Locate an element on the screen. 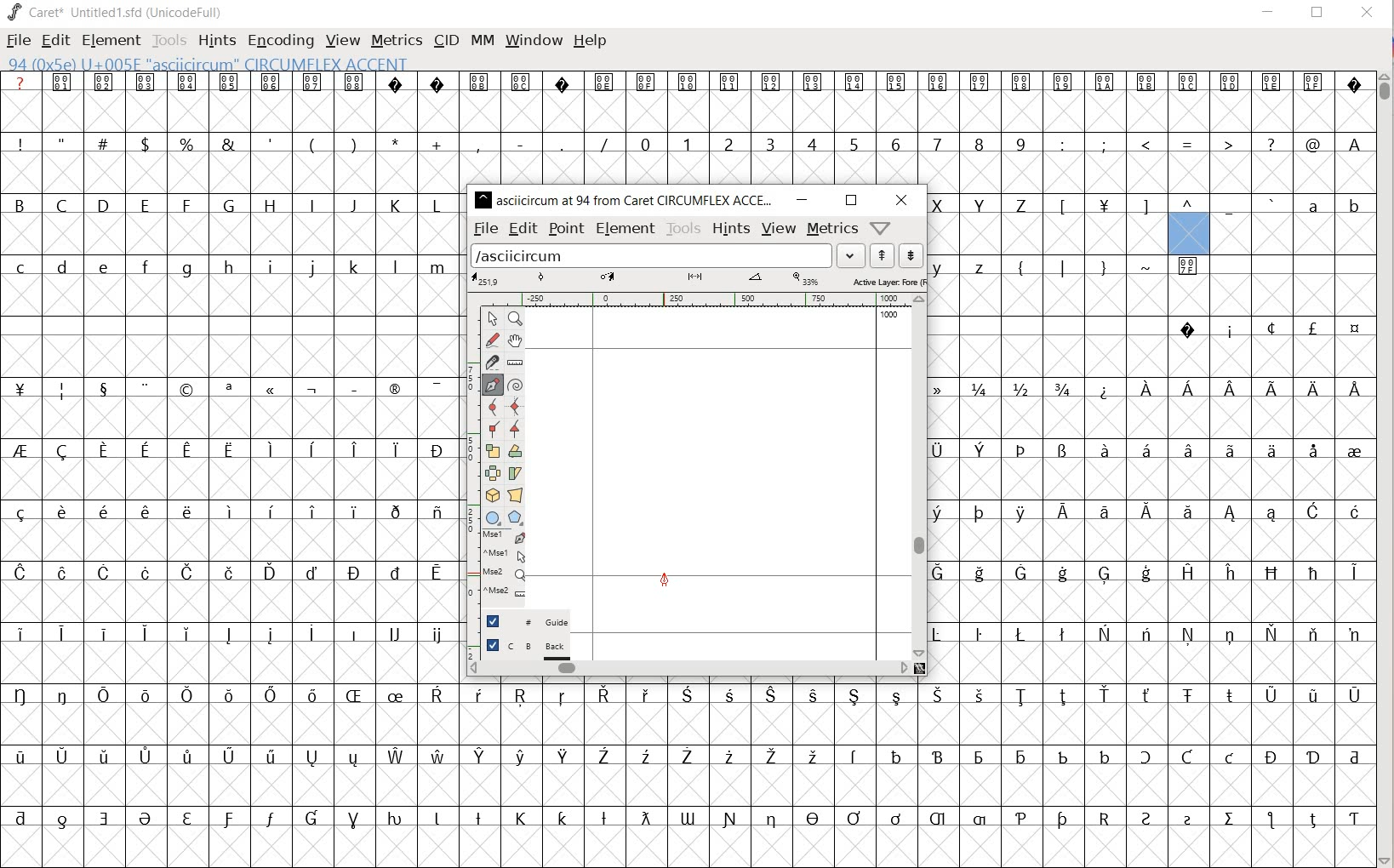 The height and width of the screenshot is (868, 1394). ruler is located at coordinates (694, 300).